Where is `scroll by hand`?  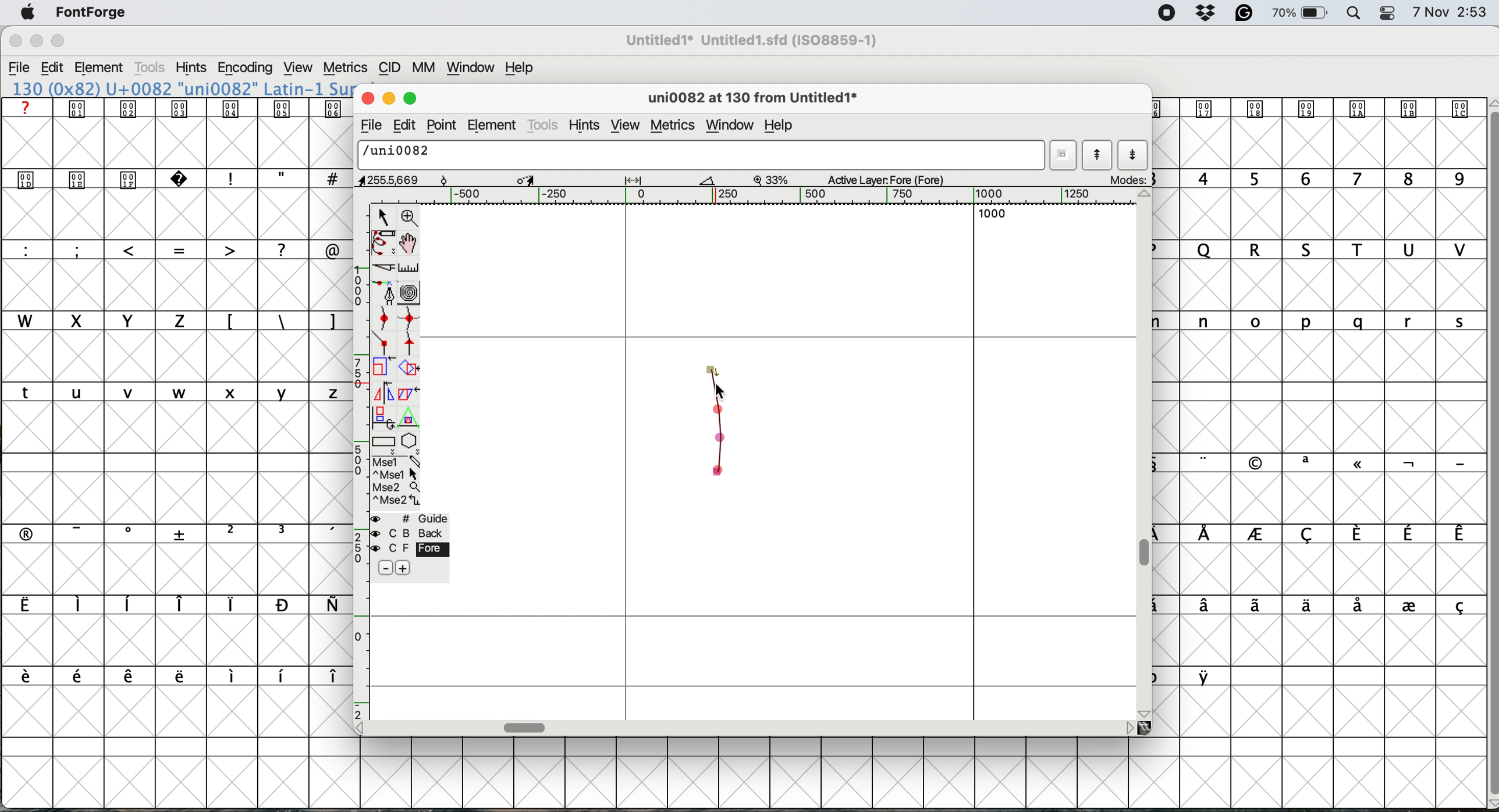
scroll by hand is located at coordinates (407, 244).